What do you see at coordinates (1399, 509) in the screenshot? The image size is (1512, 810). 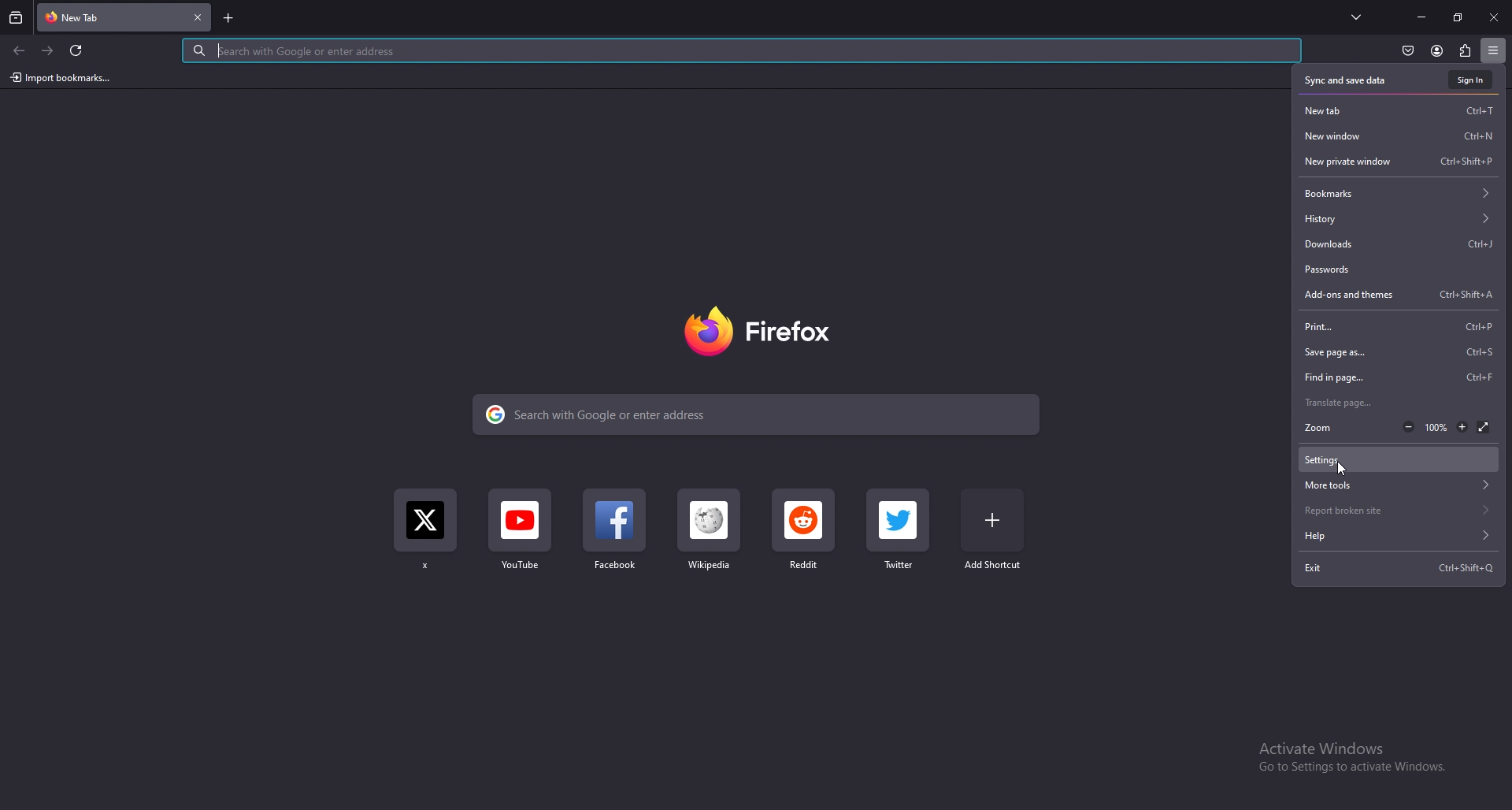 I see `report broken site` at bounding box center [1399, 509].